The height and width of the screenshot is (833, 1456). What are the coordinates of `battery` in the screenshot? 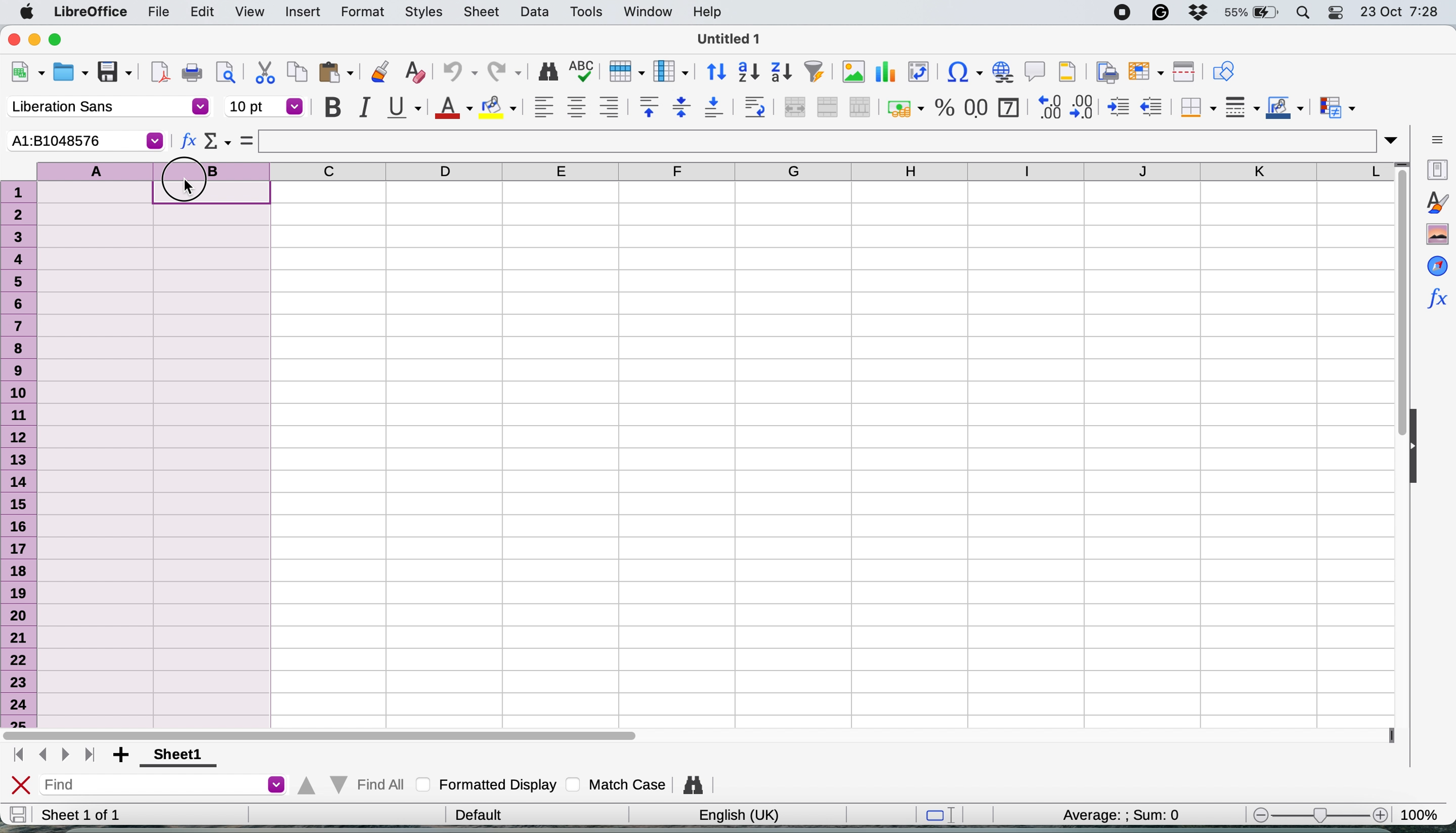 It's located at (1248, 13).